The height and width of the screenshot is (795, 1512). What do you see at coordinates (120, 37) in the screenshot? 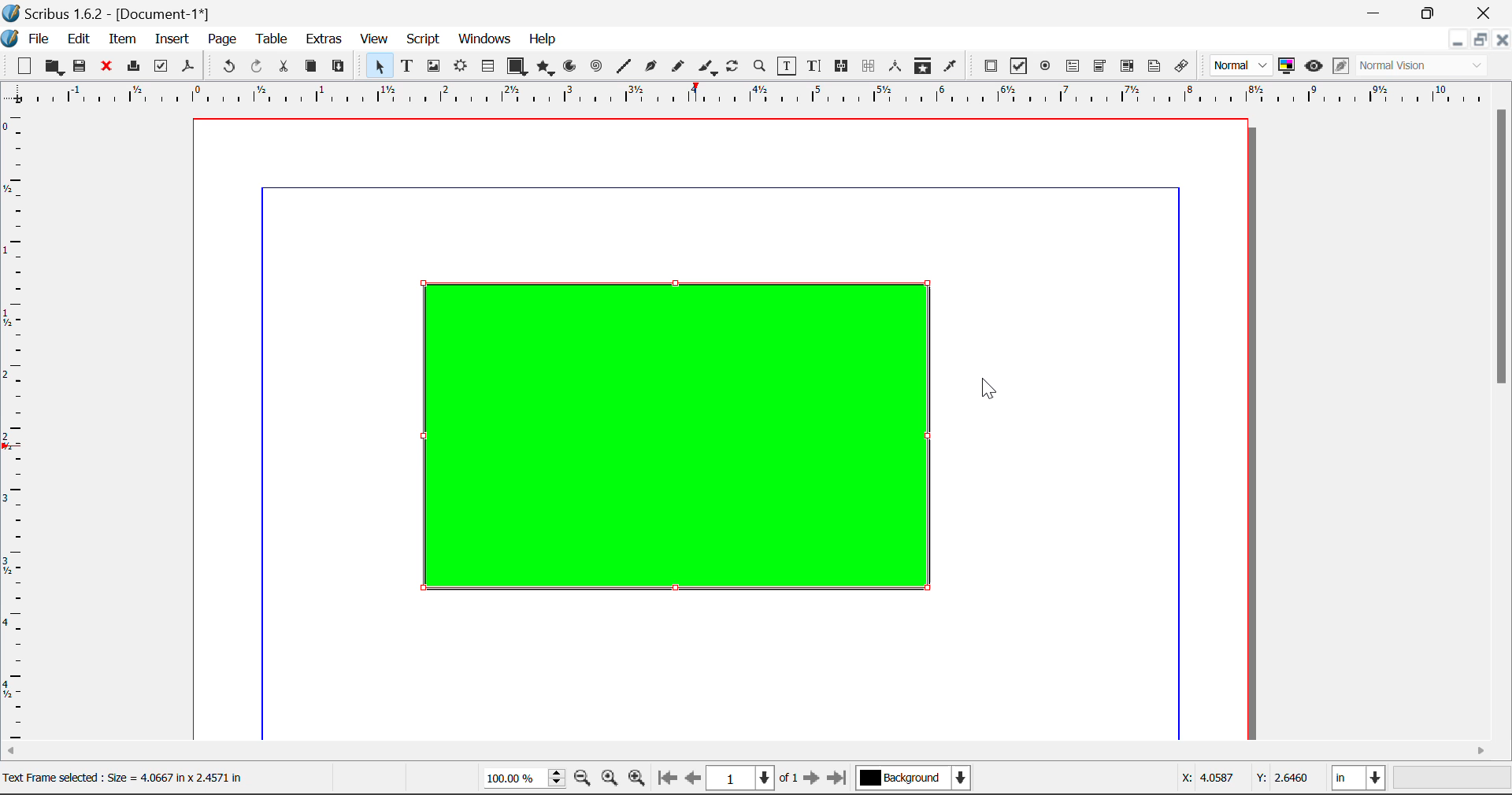
I see `Item` at bounding box center [120, 37].